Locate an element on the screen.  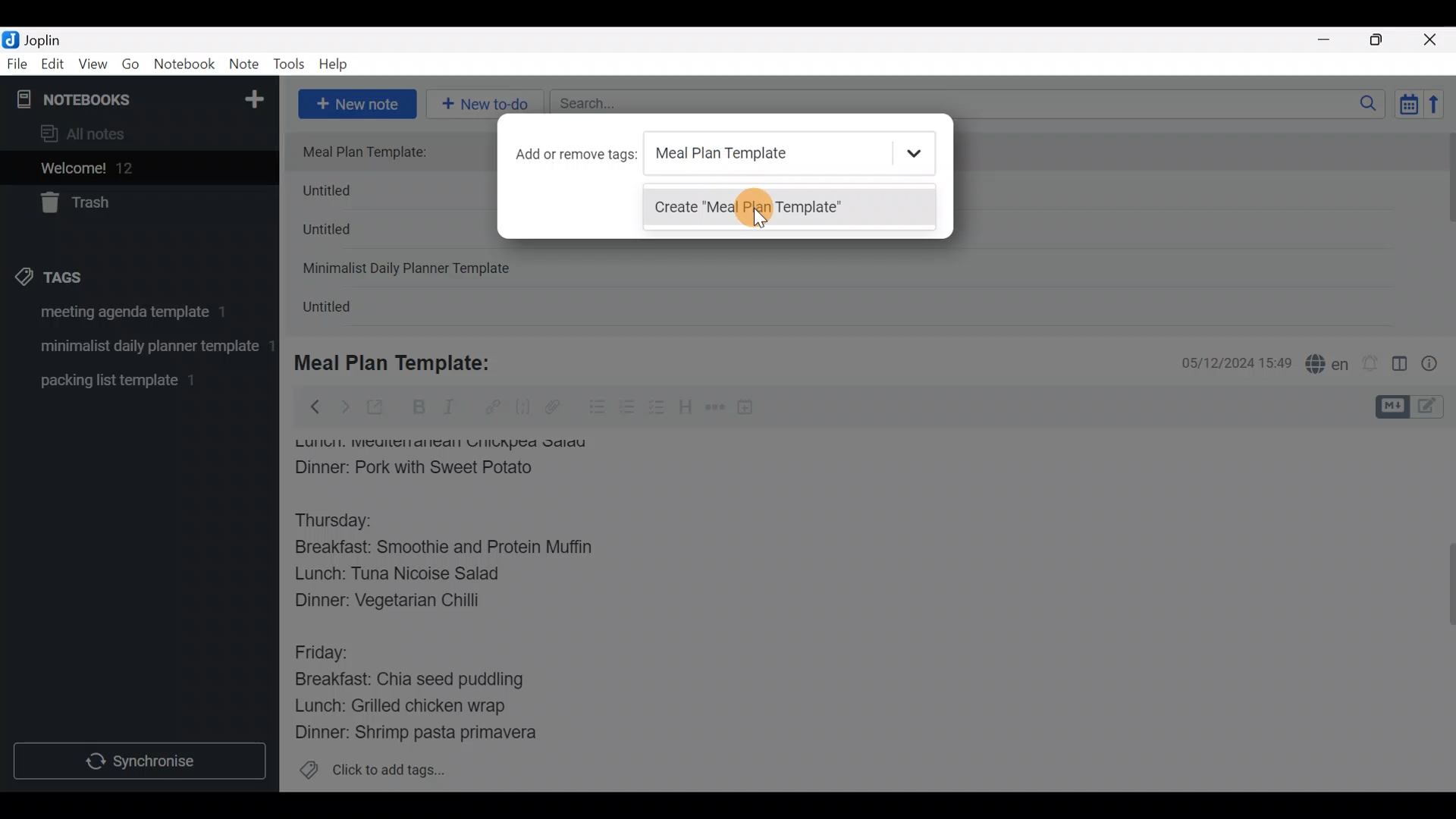
Spelling is located at coordinates (1328, 366).